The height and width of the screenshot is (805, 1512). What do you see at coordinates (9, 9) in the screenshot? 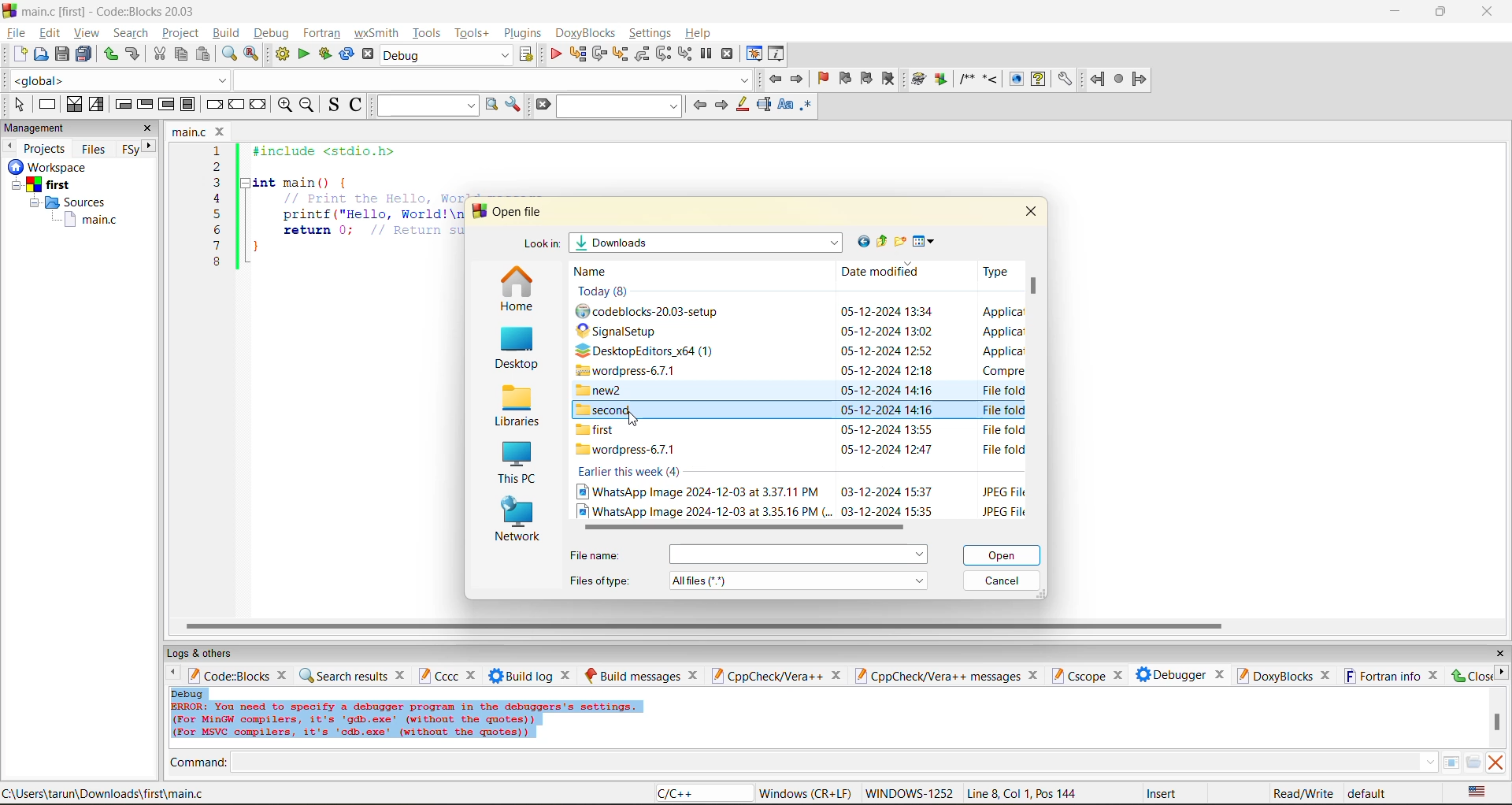
I see `logo` at bounding box center [9, 9].